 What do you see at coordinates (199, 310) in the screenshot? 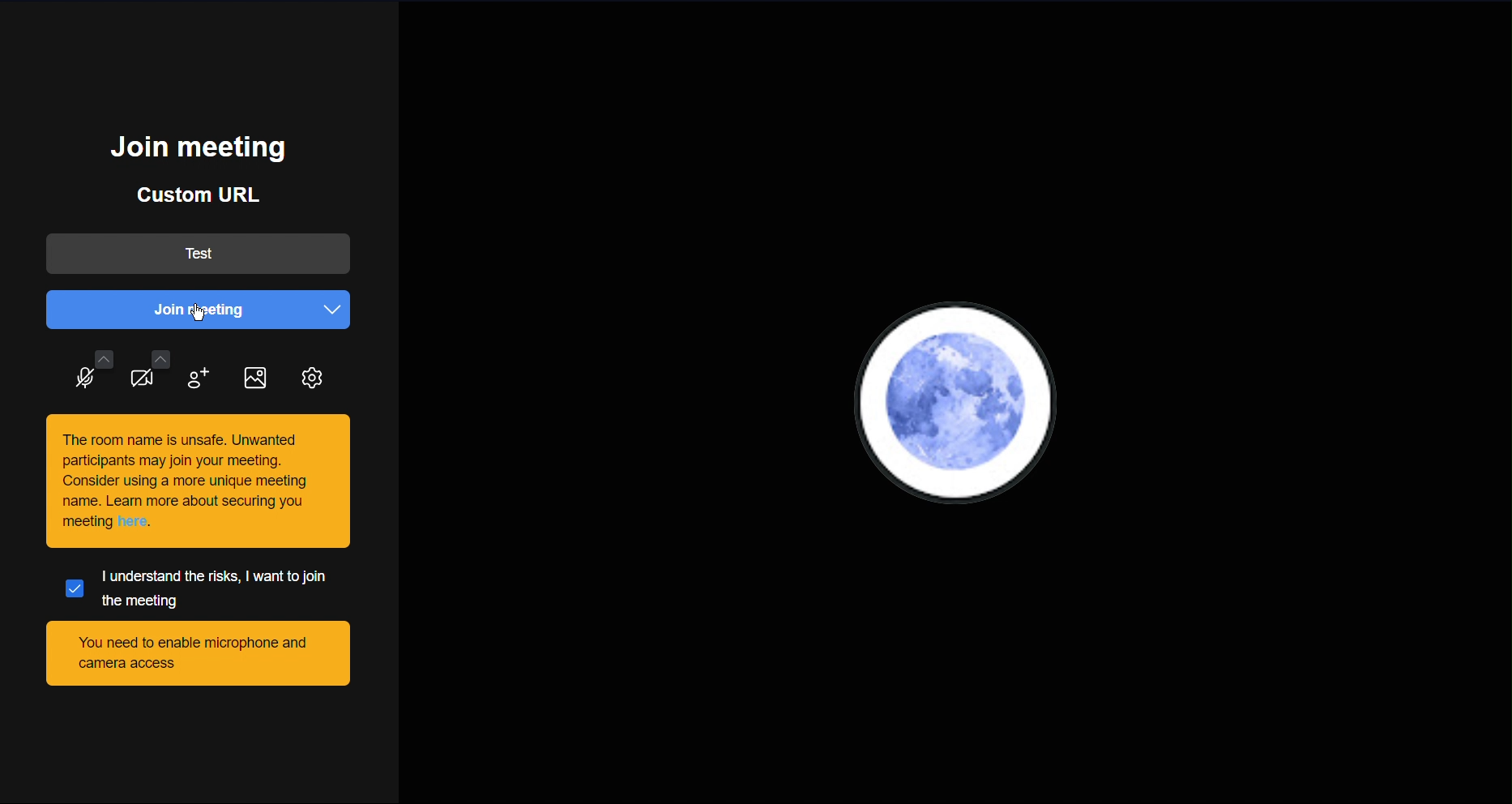
I see `Join meeting` at bounding box center [199, 310].